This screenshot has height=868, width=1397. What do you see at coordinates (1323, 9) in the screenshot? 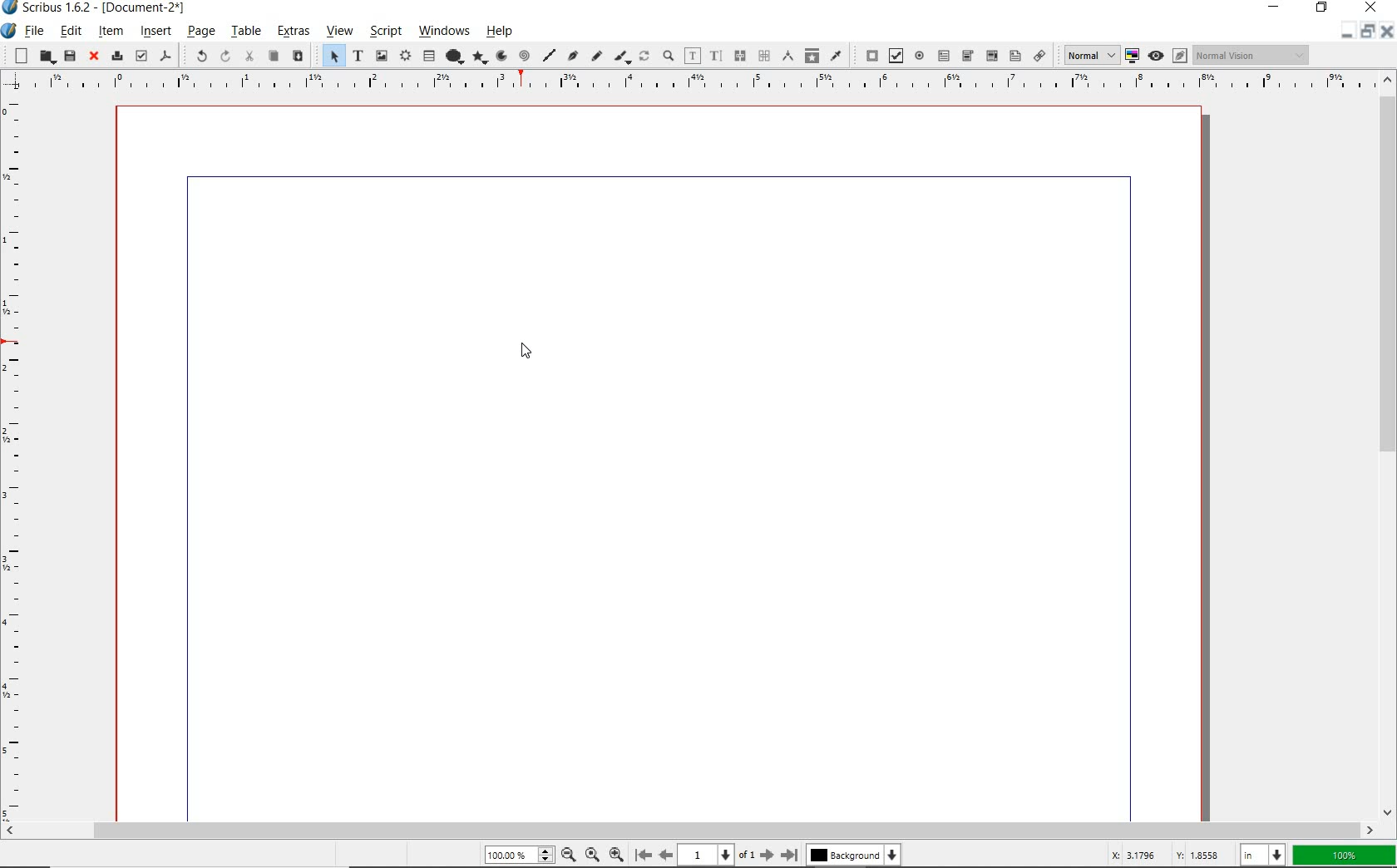
I see `restore` at bounding box center [1323, 9].